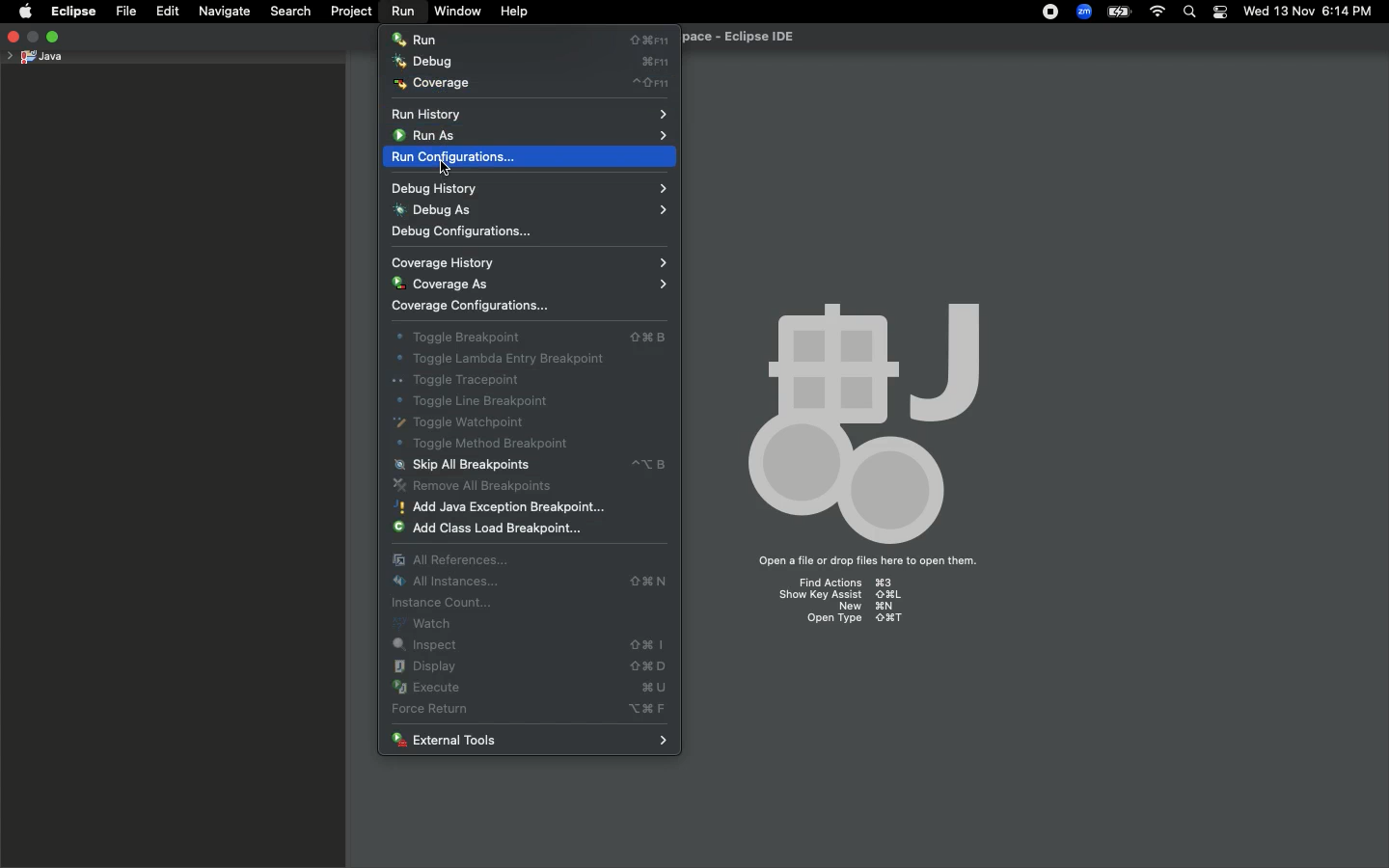 The width and height of the screenshot is (1389, 868). Describe the element at coordinates (53, 37) in the screenshot. I see `Maximize` at that location.